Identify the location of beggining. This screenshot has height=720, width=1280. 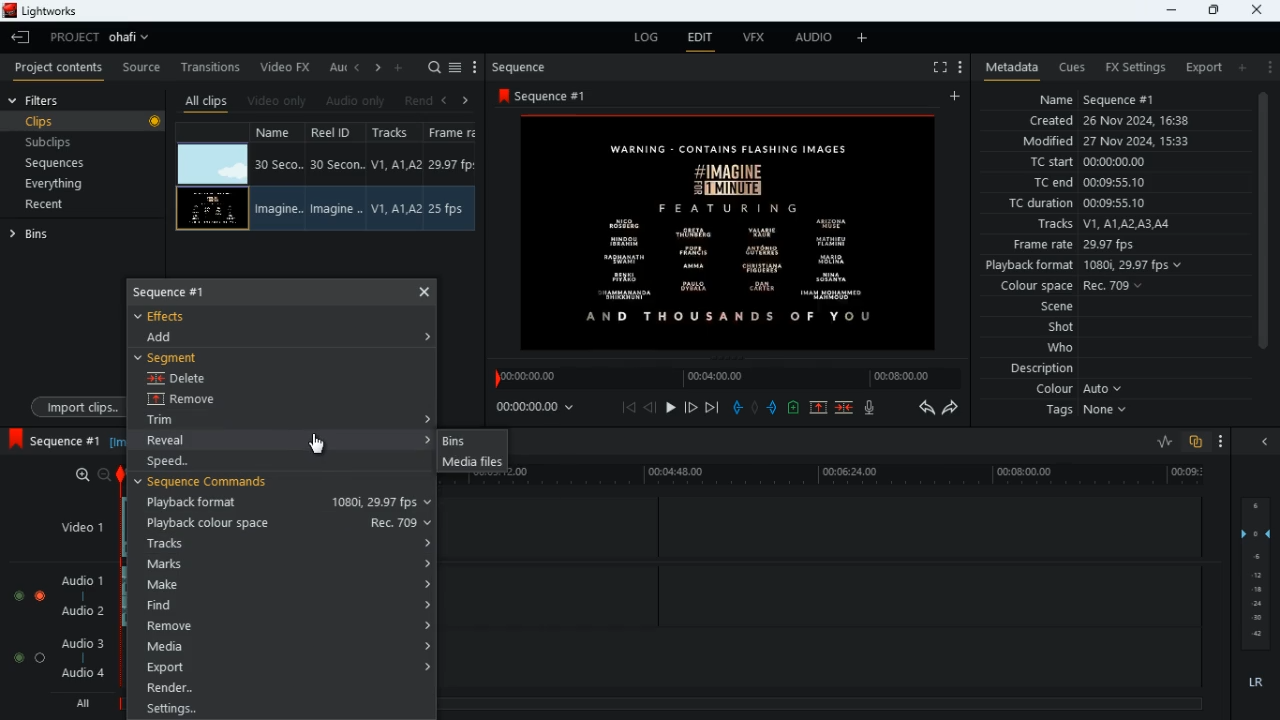
(628, 407).